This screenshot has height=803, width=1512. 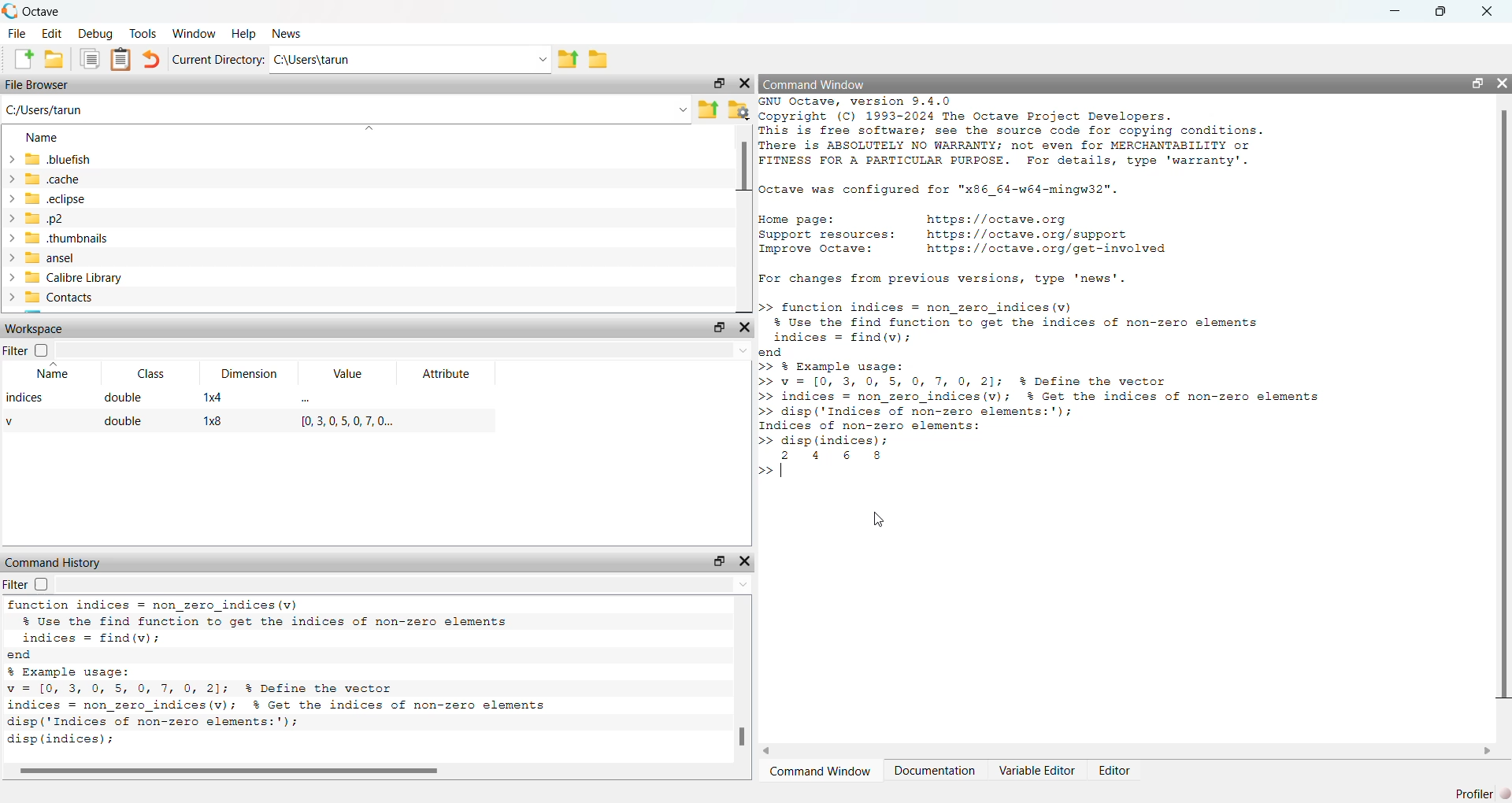 I want to click on documents, so click(x=91, y=62).